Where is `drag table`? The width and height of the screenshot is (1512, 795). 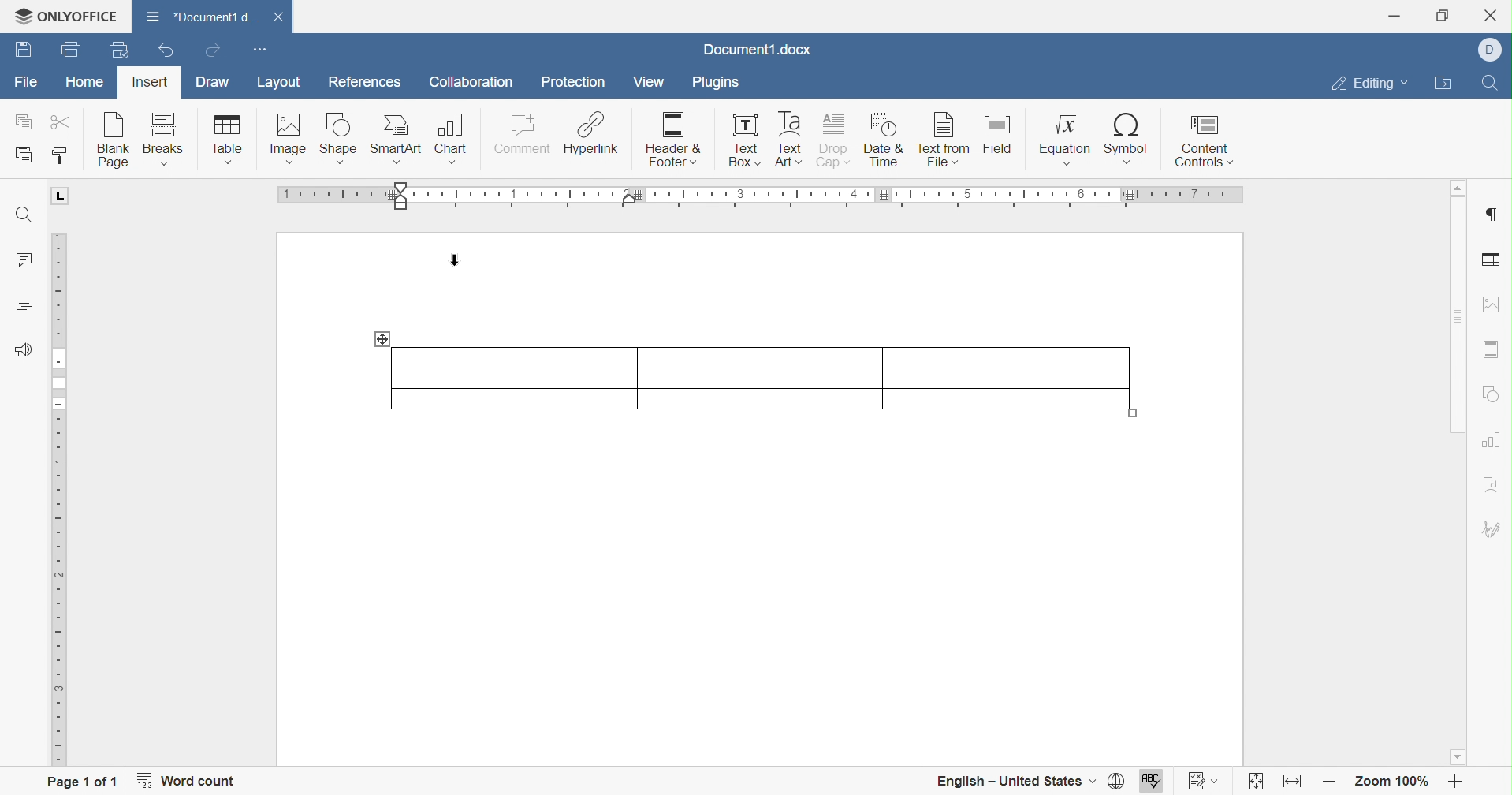
drag table is located at coordinates (381, 337).